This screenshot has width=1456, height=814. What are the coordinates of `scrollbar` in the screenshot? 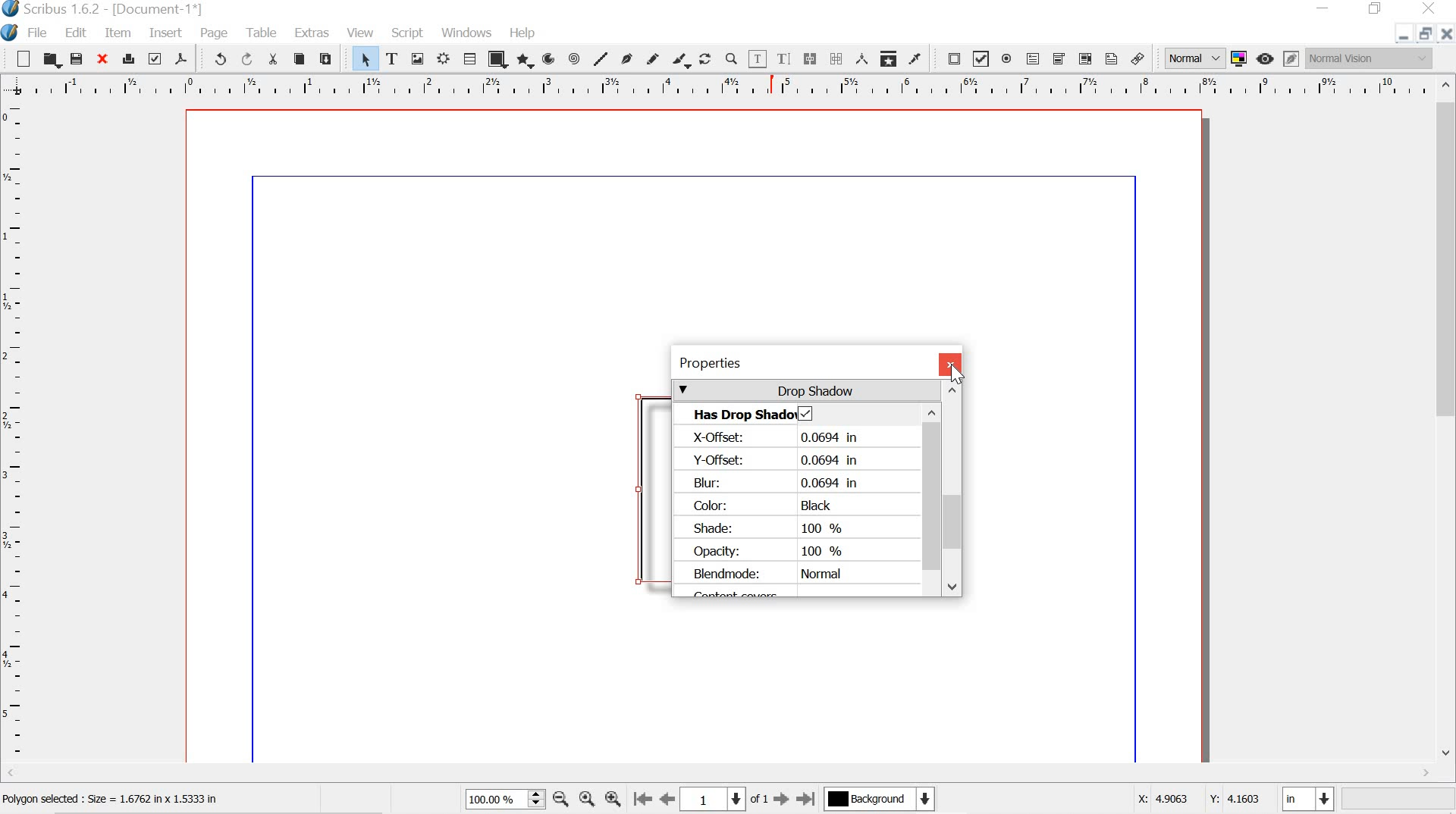 It's located at (953, 488).